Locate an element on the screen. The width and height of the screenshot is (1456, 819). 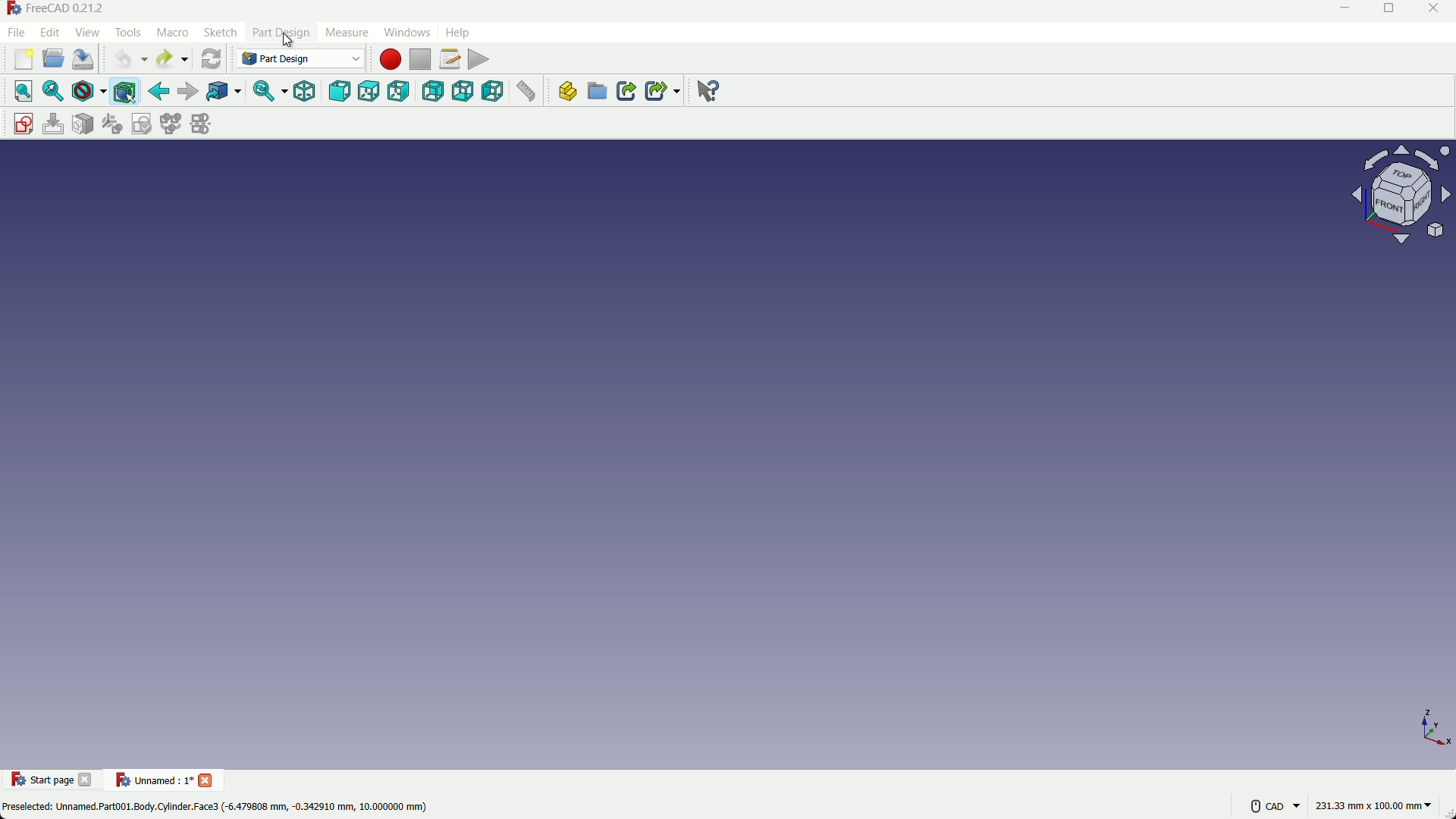
open file is located at coordinates (54, 58).